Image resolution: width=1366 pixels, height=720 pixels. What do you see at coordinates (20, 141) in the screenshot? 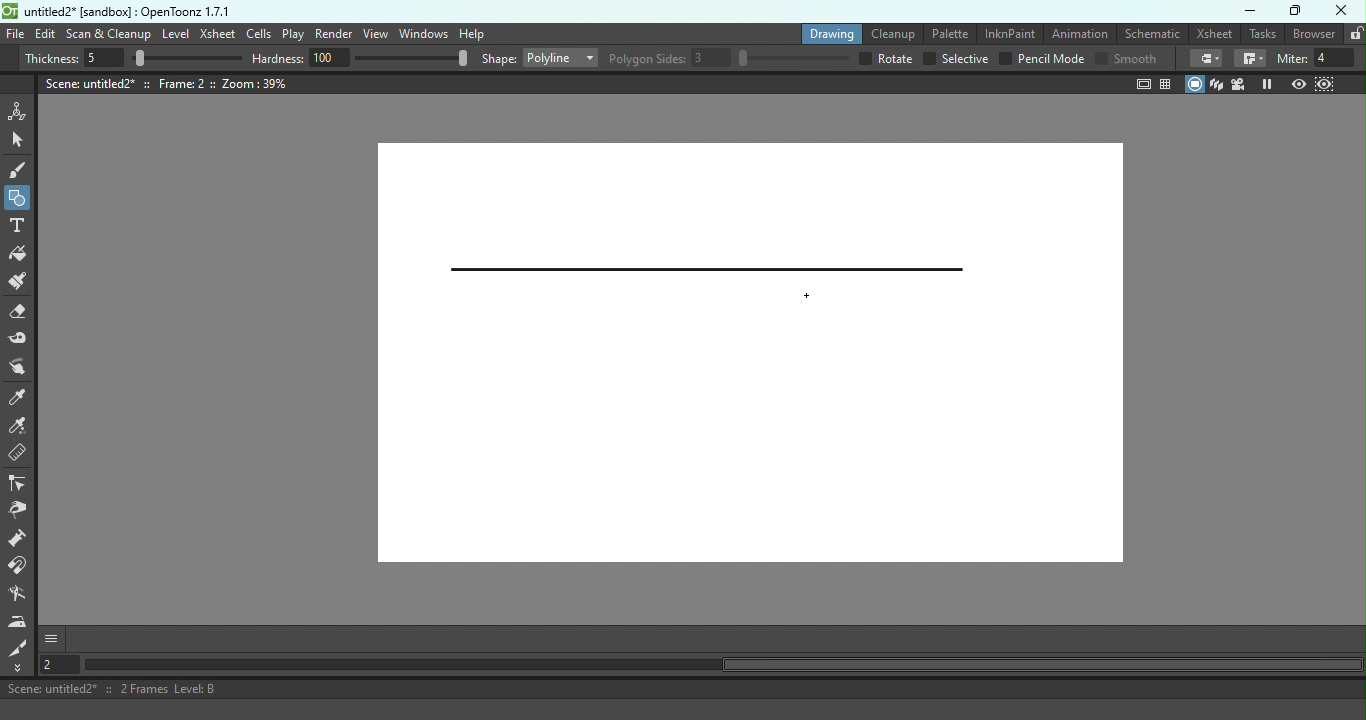
I see `Selection tool` at bounding box center [20, 141].